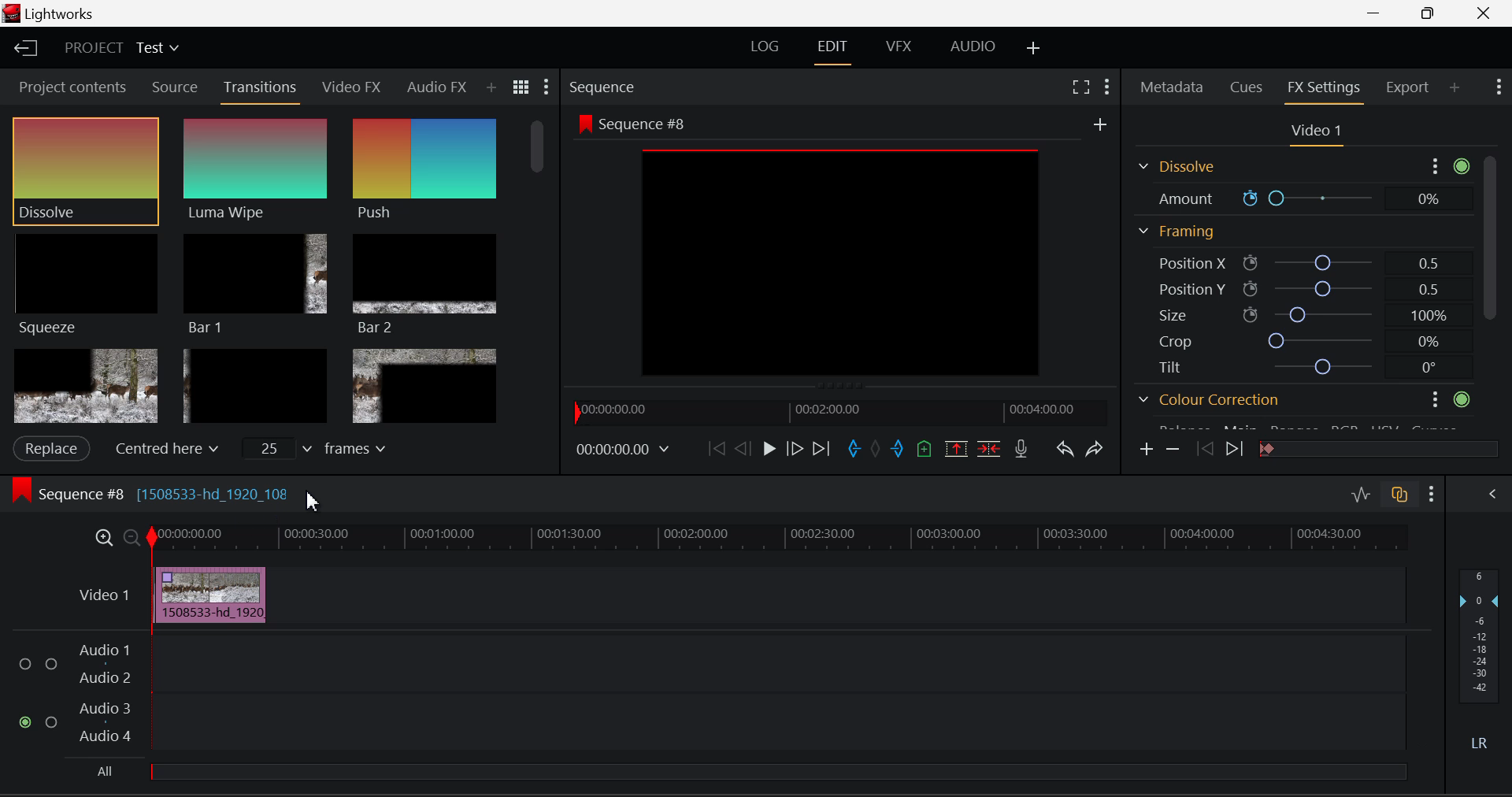 This screenshot has height=797, width=1512. What do you see at coordinates (1081, 88) in the screenshot?
I see `Full Screen` at bounding box center [1081, 88].